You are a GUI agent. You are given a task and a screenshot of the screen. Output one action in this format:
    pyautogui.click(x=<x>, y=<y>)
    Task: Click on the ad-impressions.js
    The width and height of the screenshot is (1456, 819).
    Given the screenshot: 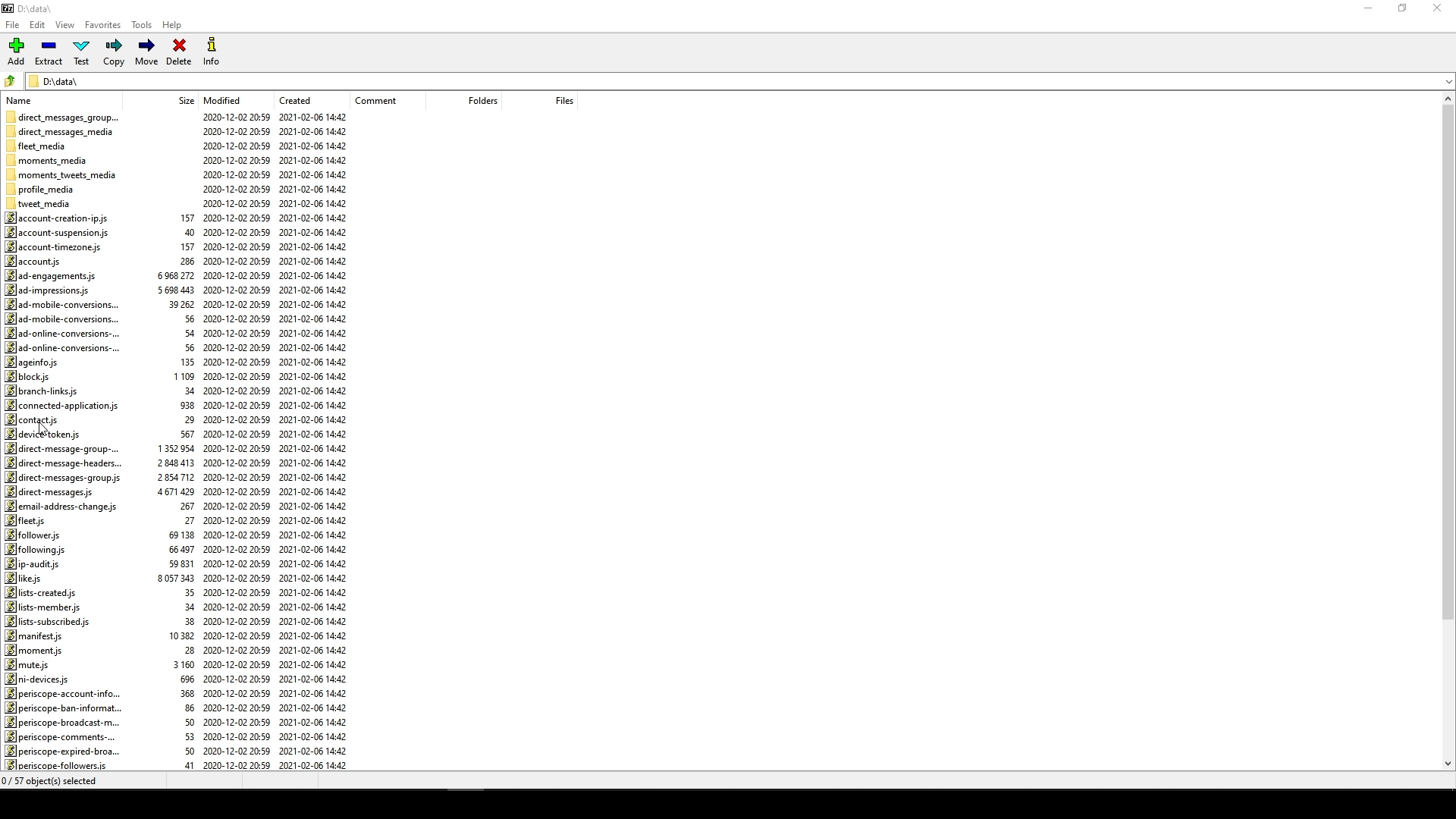 What is the action you would take?
    pyautogui.click(x=53, y=290)
    